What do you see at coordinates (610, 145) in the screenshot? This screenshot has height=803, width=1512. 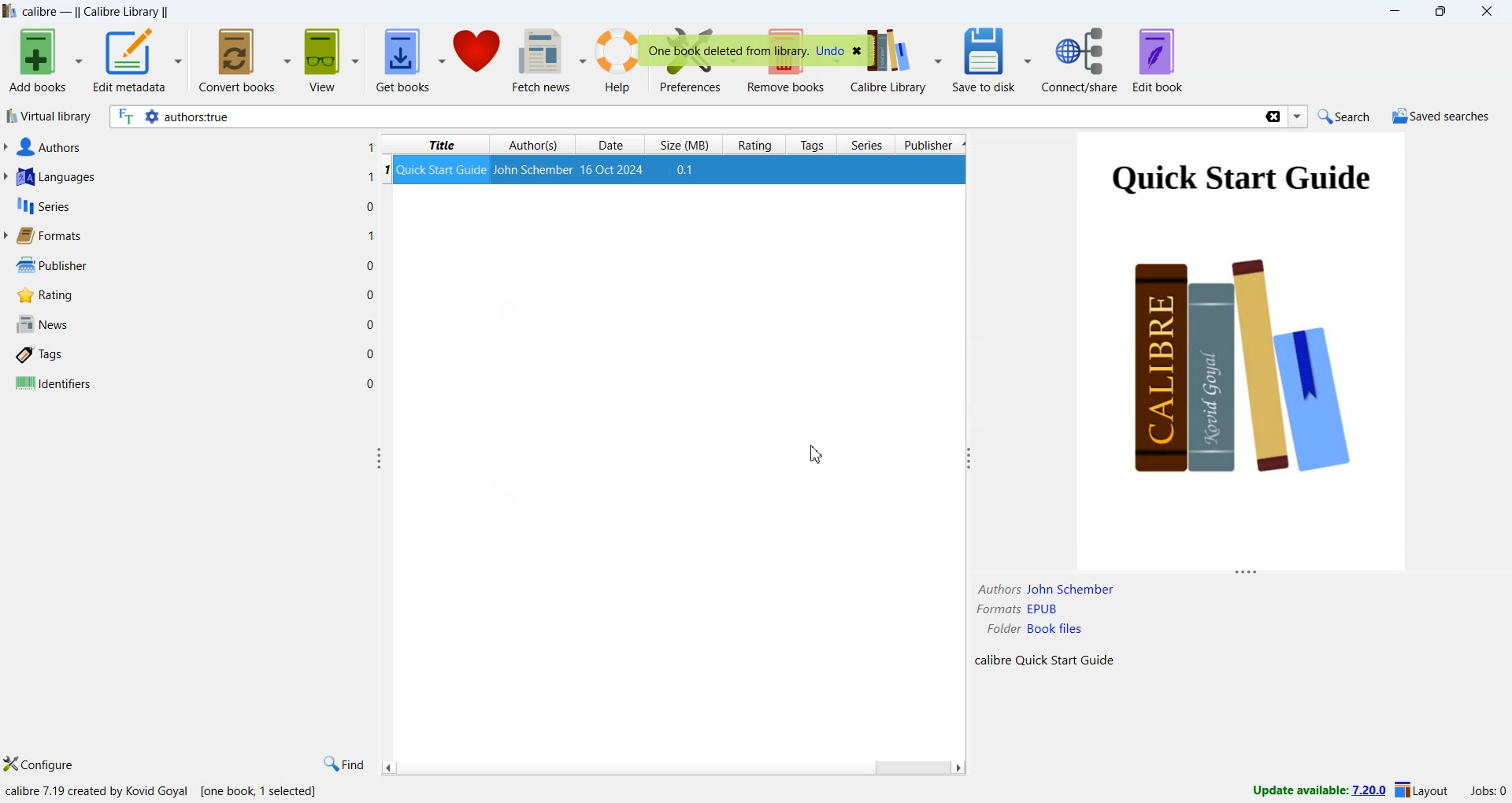 I see `date` at bounding box center [610, 145].